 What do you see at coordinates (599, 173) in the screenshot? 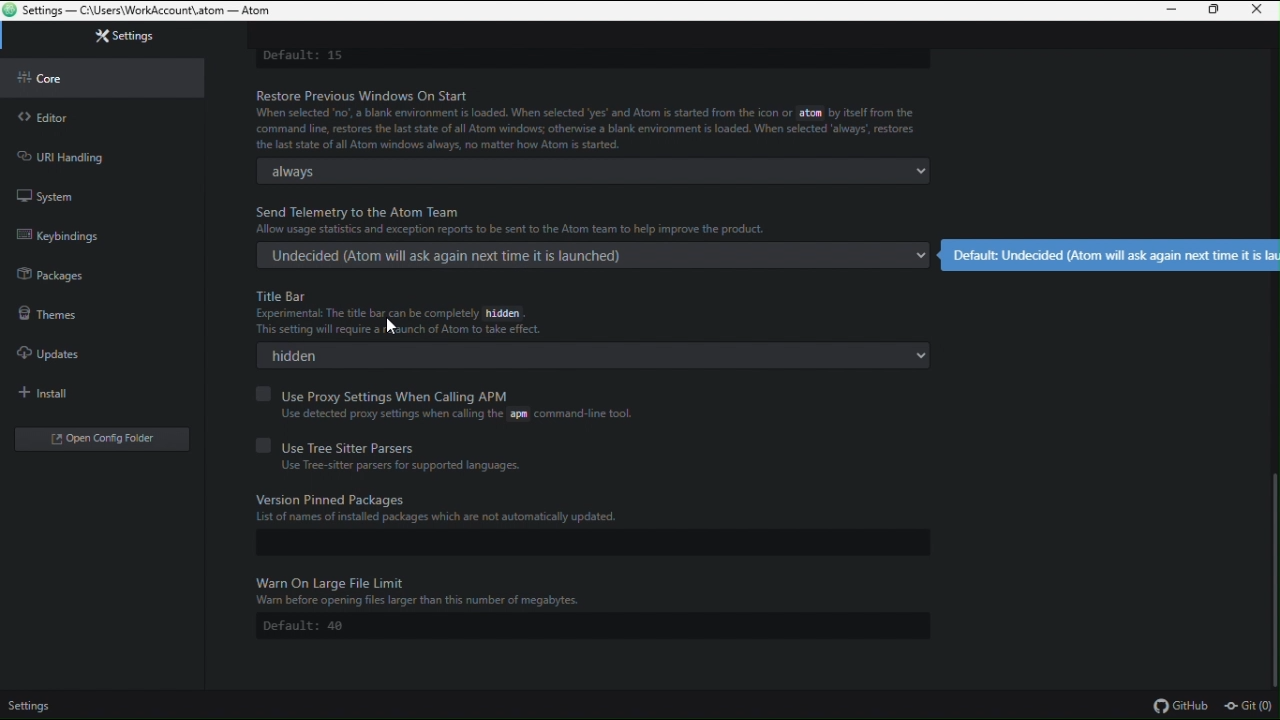
I see `always` at bounding box center [599, 173].